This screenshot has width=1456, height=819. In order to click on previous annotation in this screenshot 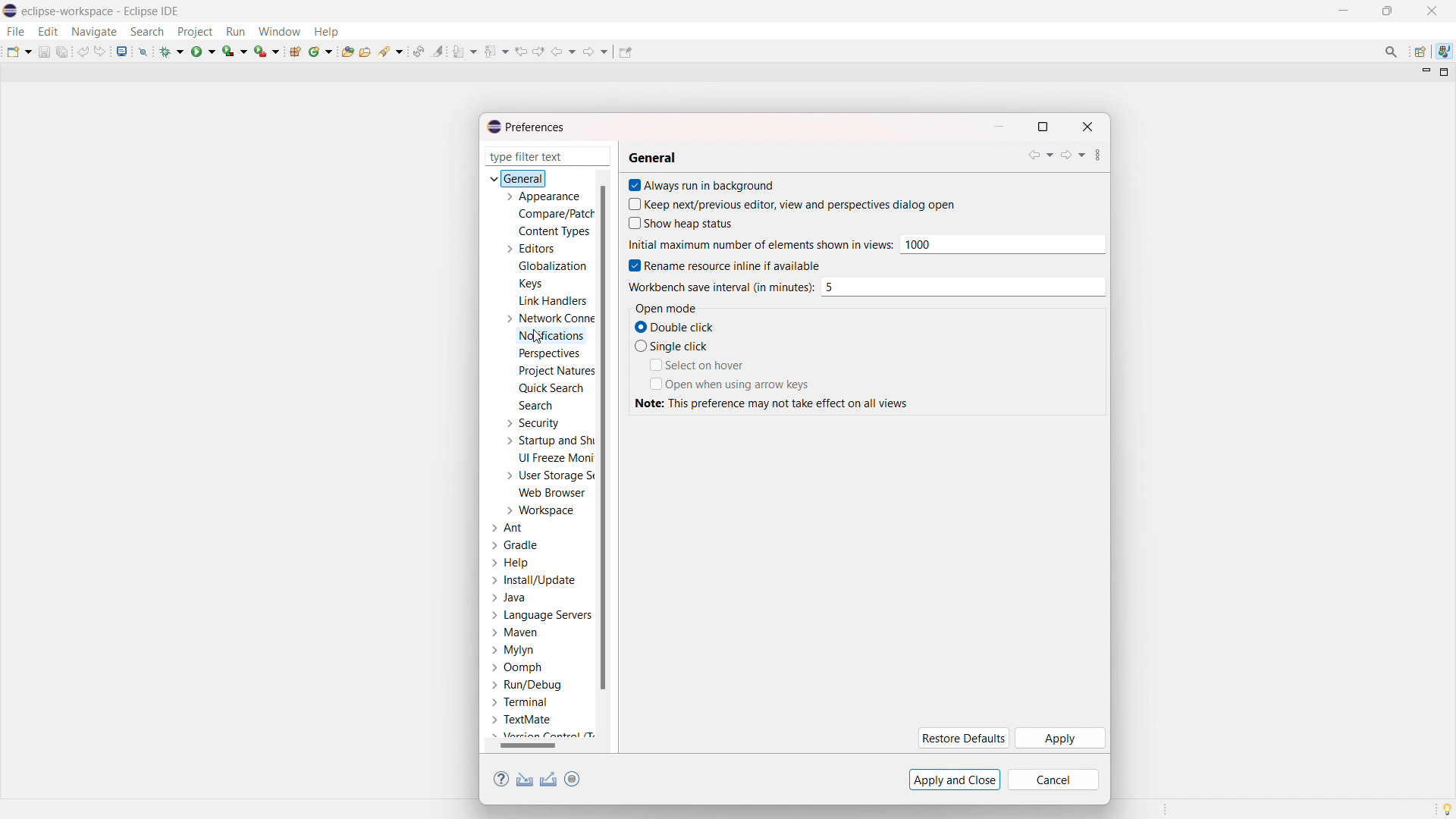, I will do `click(496, 51)`.